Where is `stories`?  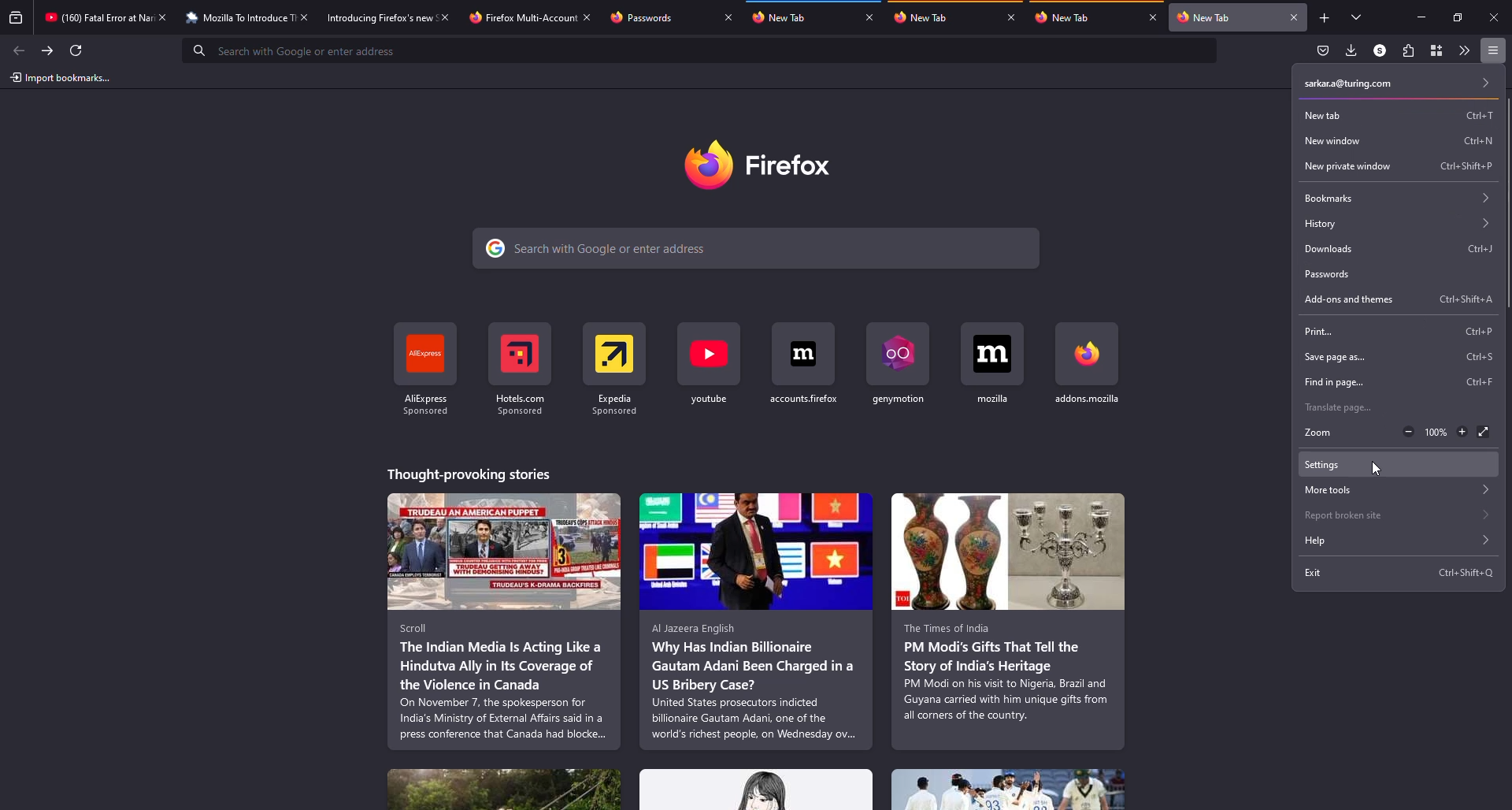
stories is located at coordinates (756, 790).